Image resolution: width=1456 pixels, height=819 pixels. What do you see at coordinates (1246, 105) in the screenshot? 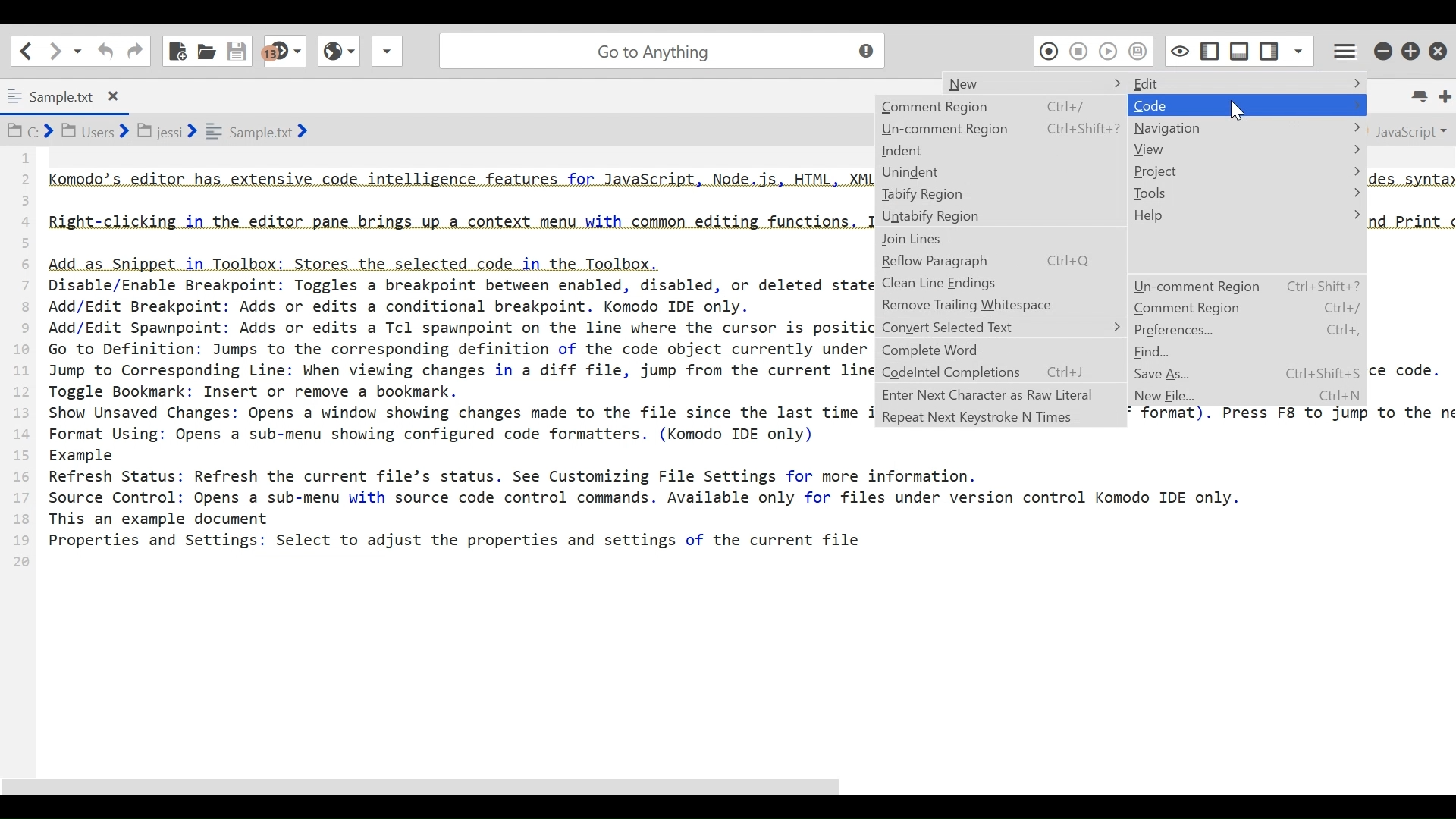
I see `Code` at bounding box center [1246, 105].